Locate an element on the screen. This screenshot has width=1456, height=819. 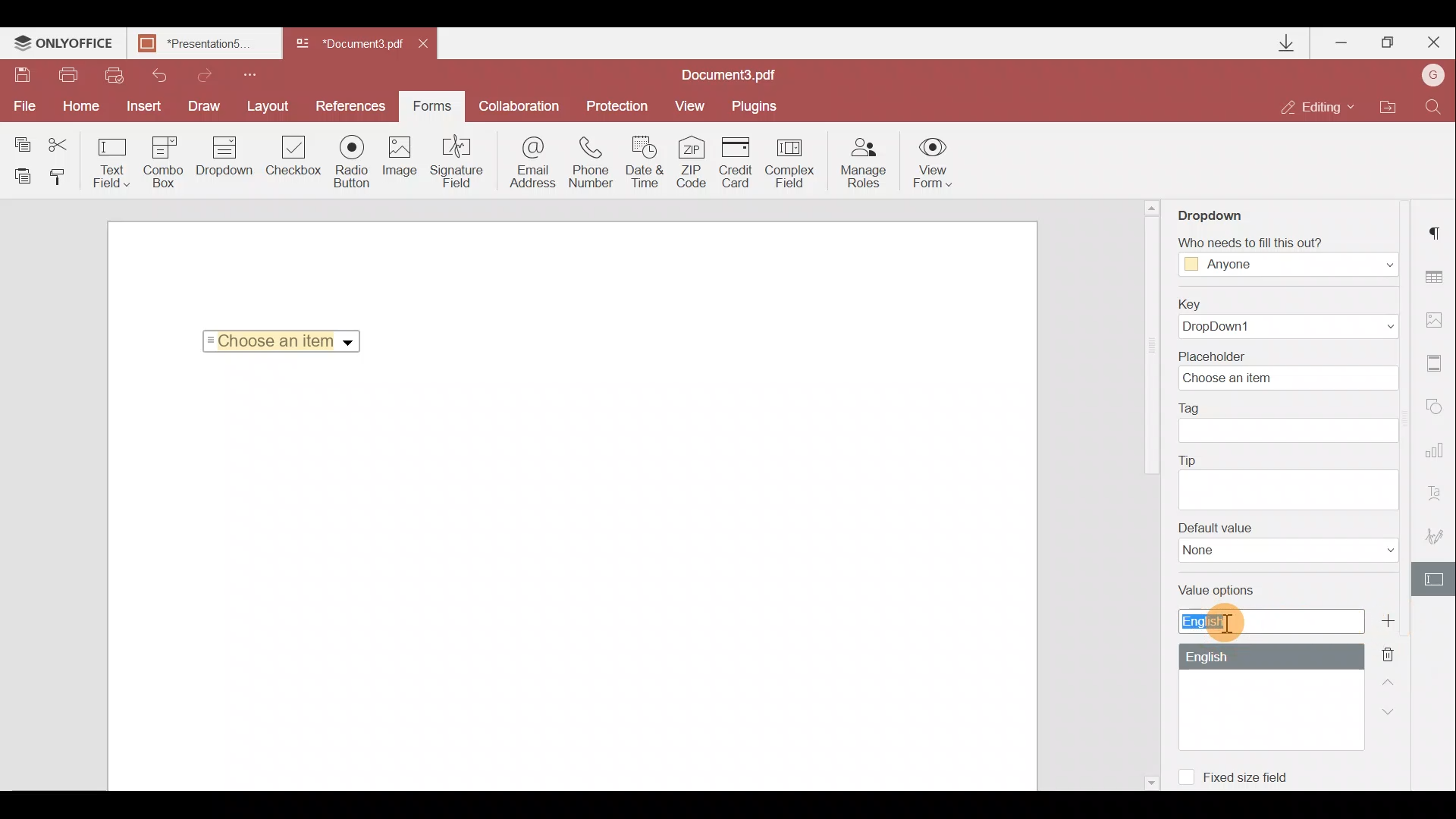
Paste is located at coordinates (23, 175).